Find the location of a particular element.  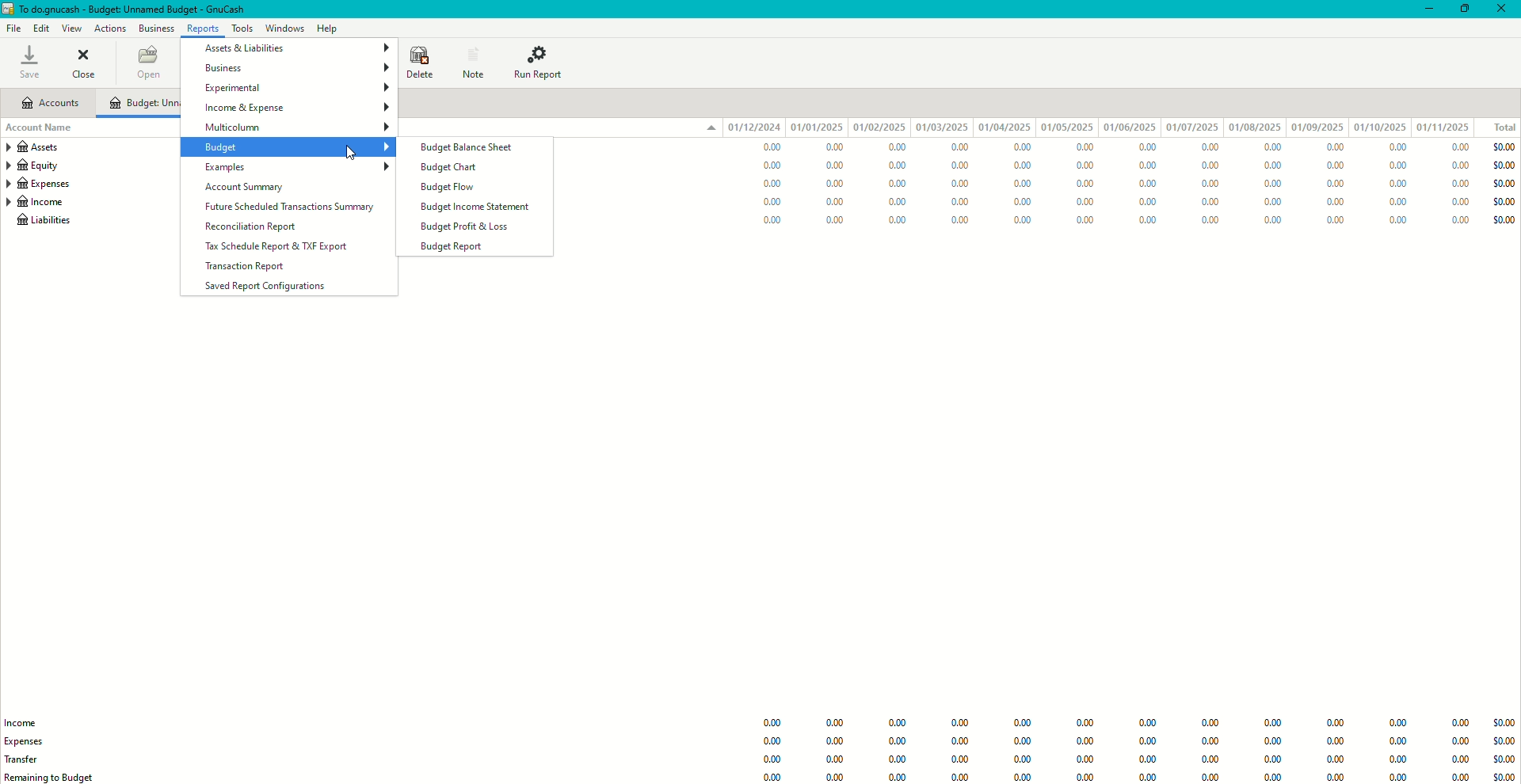

0.00 is located at coordinates (1018, 147).